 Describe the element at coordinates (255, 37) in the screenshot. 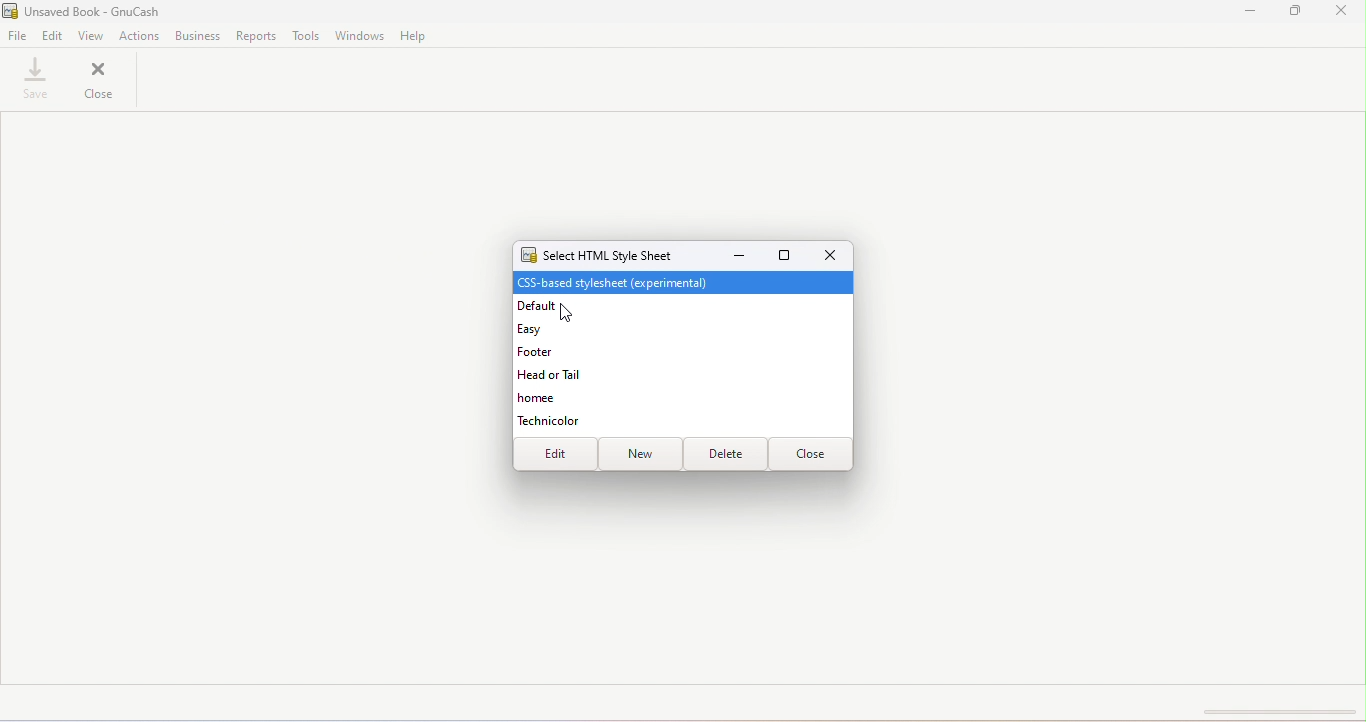

I see `Reports` at that location.